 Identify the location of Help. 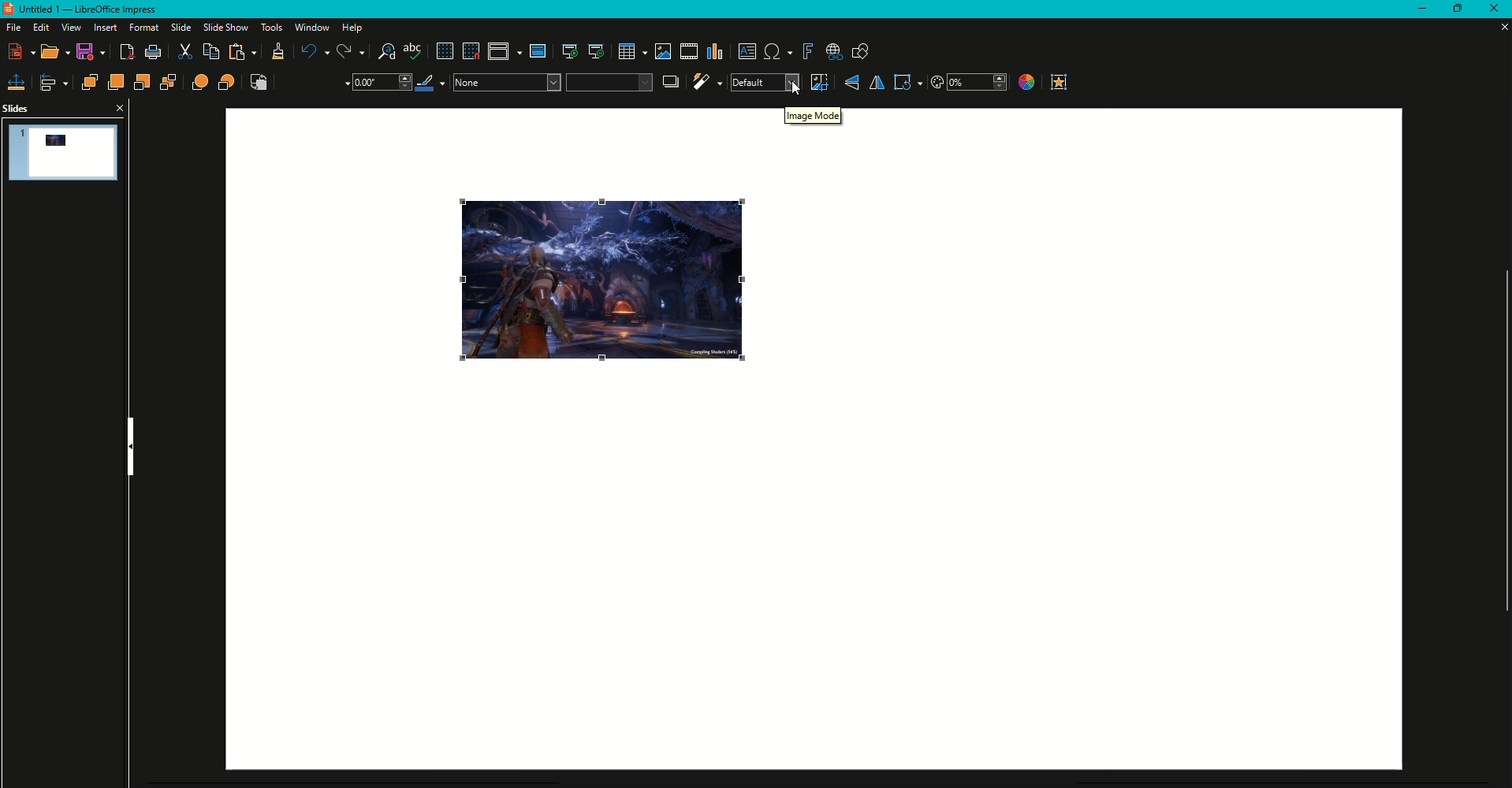
(356, 28).